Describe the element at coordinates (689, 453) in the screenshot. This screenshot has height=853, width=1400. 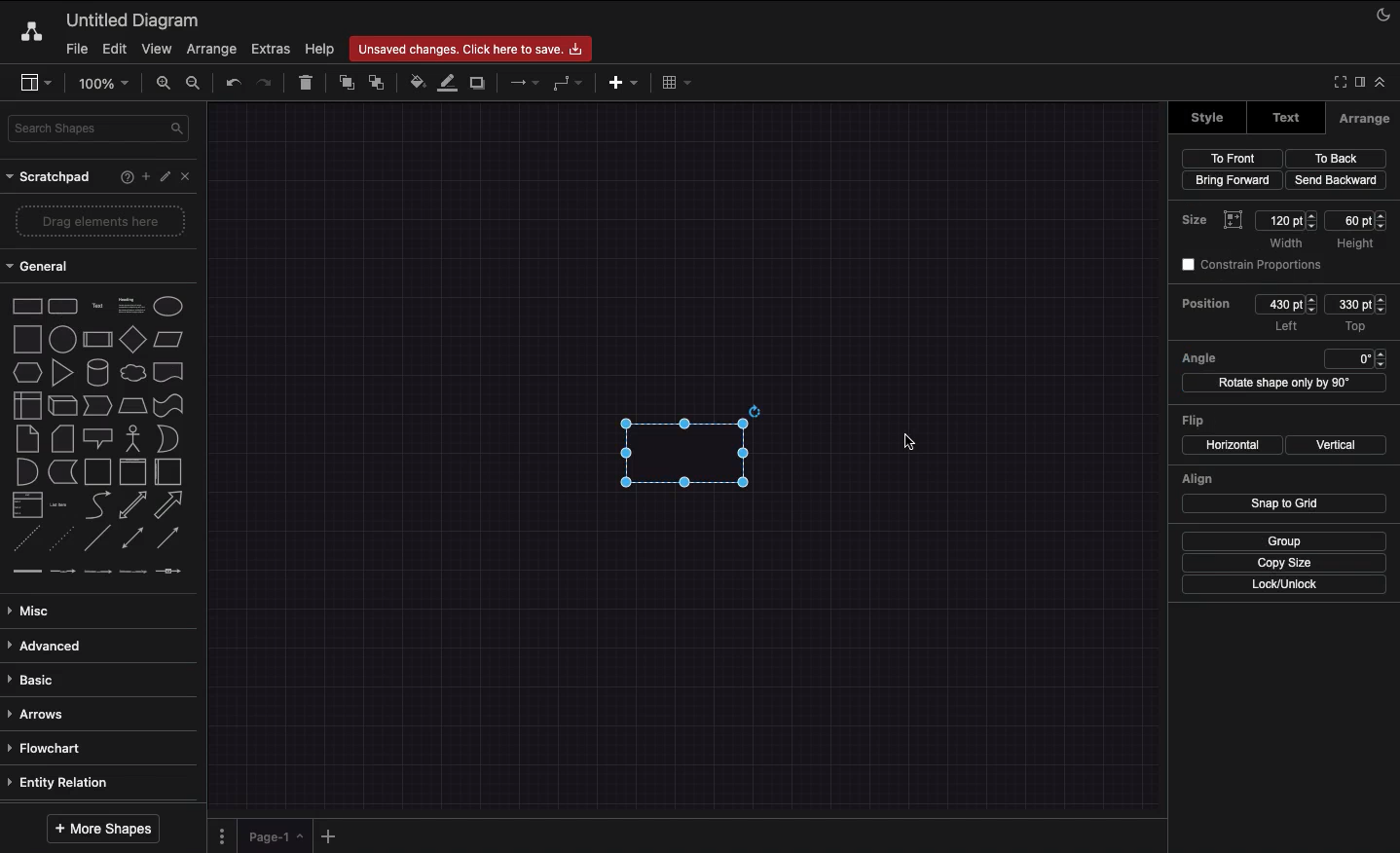
I see `Shape` at that location.